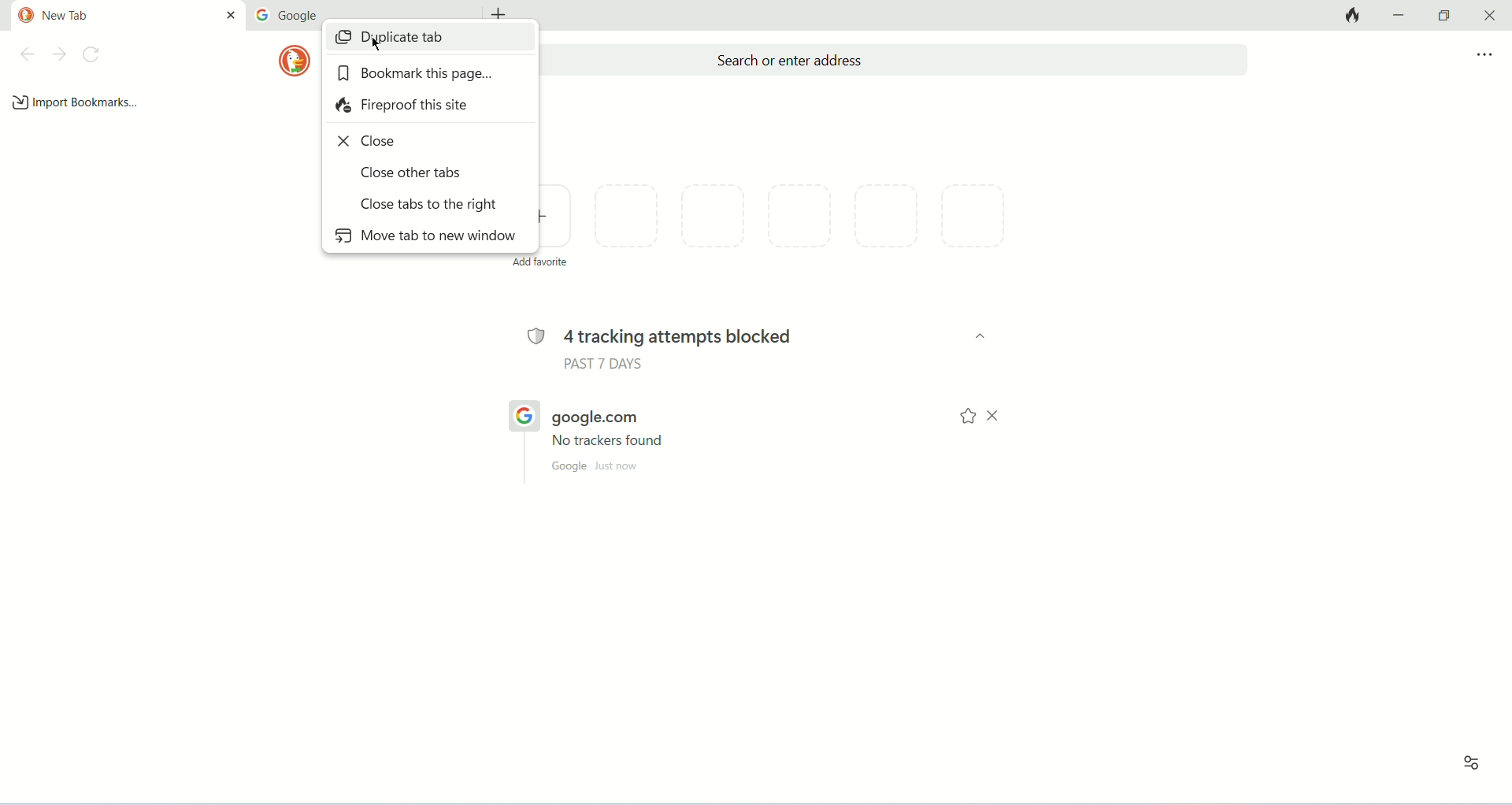 This screenshot has height=805, width=1512. I want to click on back, so click(28, 54).